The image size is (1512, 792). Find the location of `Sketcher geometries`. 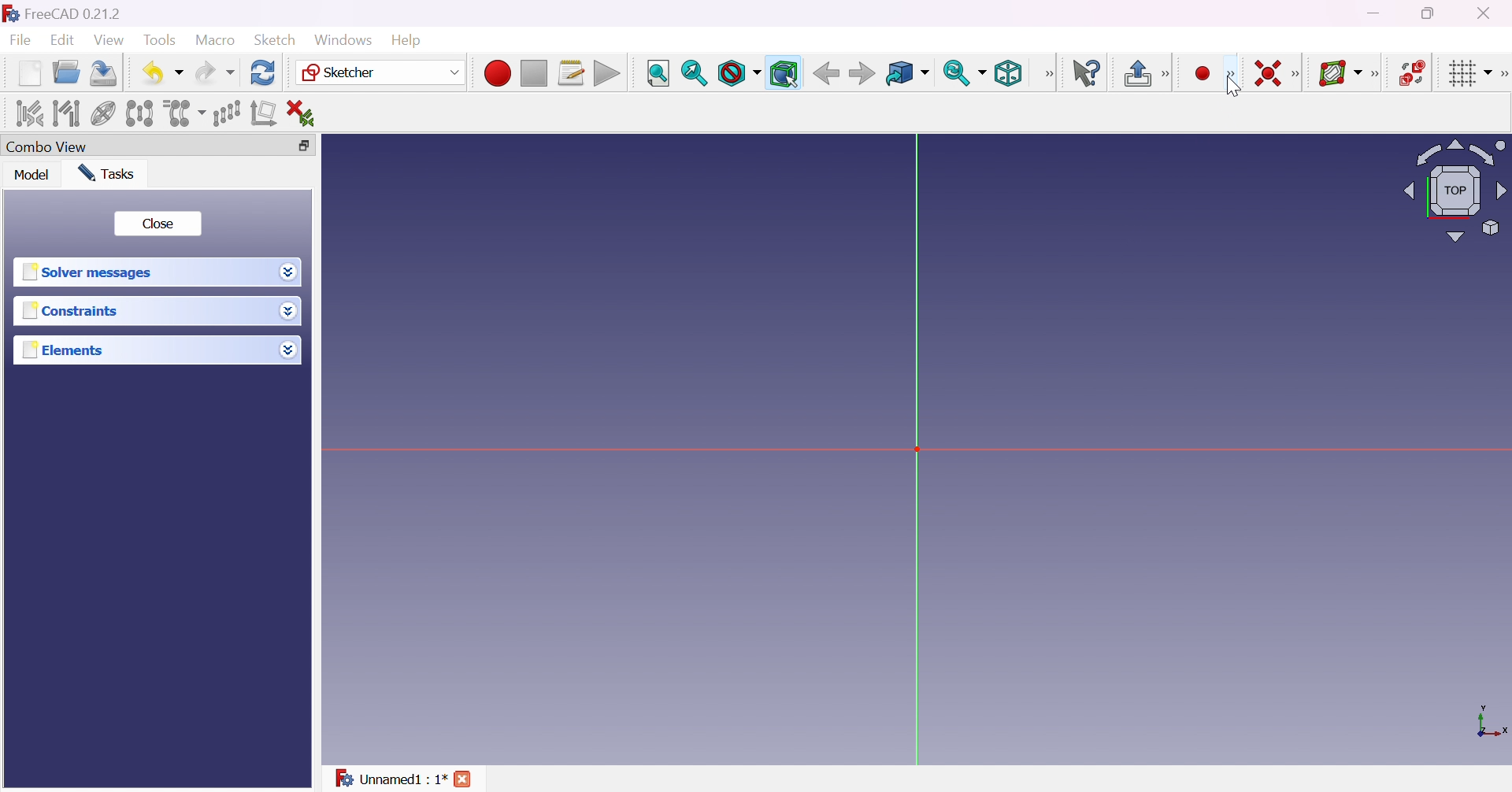

Sketcher geometries is located at coordinates (1230, 75).